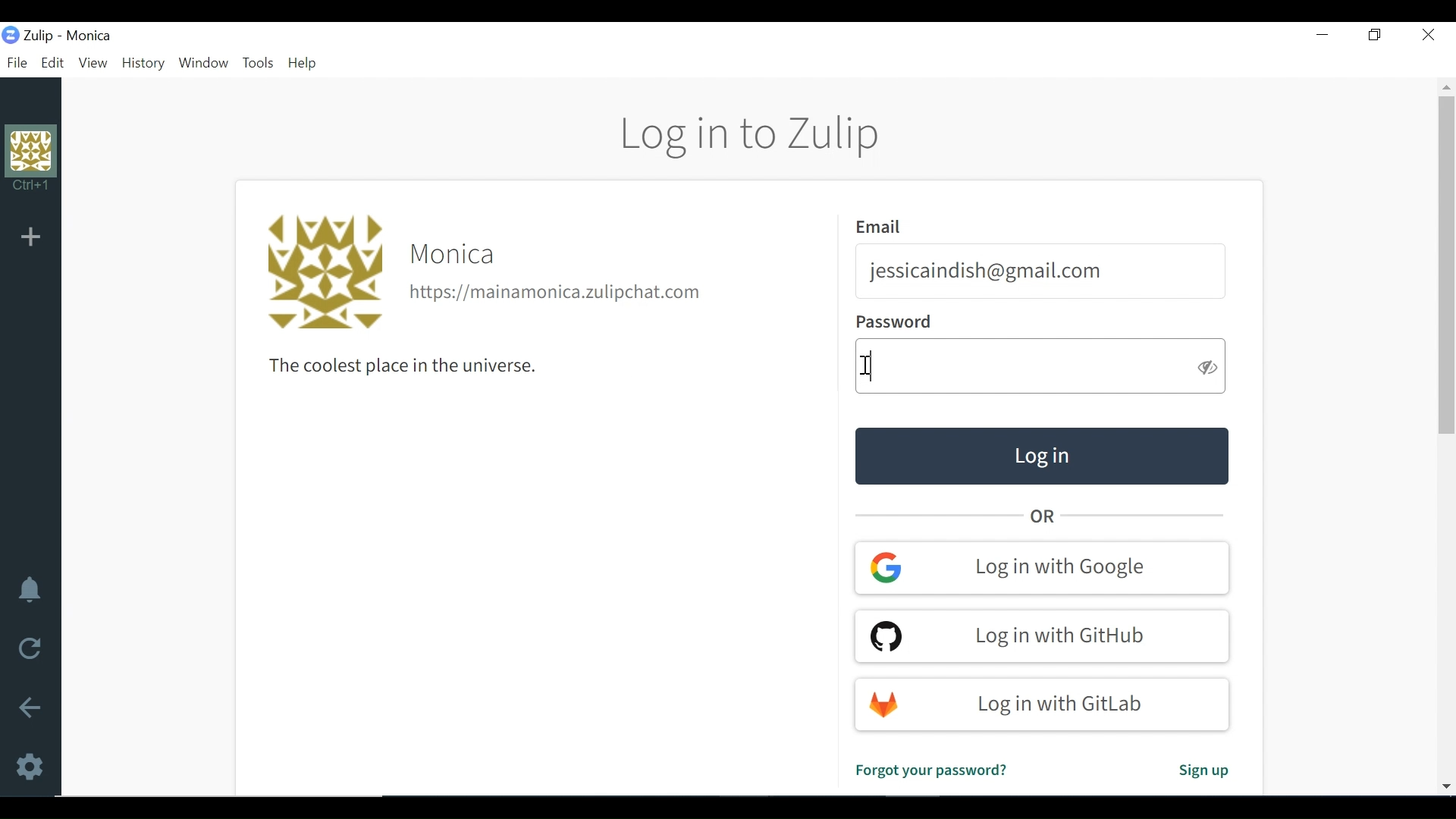  Describe the element at coordinates (869, 365) in the screenshot. I see `Text Cursor` at that location.